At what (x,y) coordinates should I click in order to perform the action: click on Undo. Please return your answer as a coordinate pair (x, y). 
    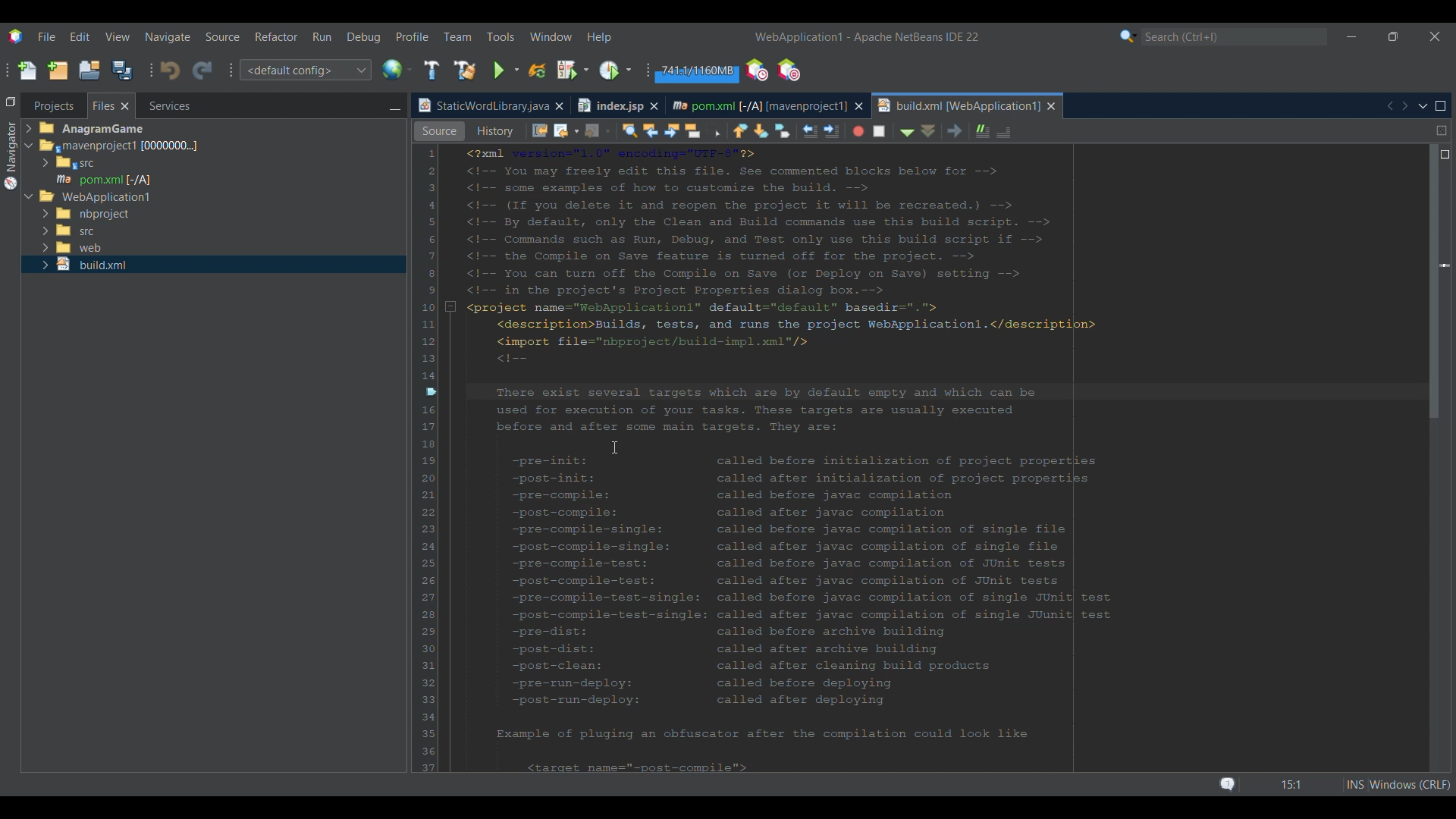
    Looking at the image, I should click on (170, 71).